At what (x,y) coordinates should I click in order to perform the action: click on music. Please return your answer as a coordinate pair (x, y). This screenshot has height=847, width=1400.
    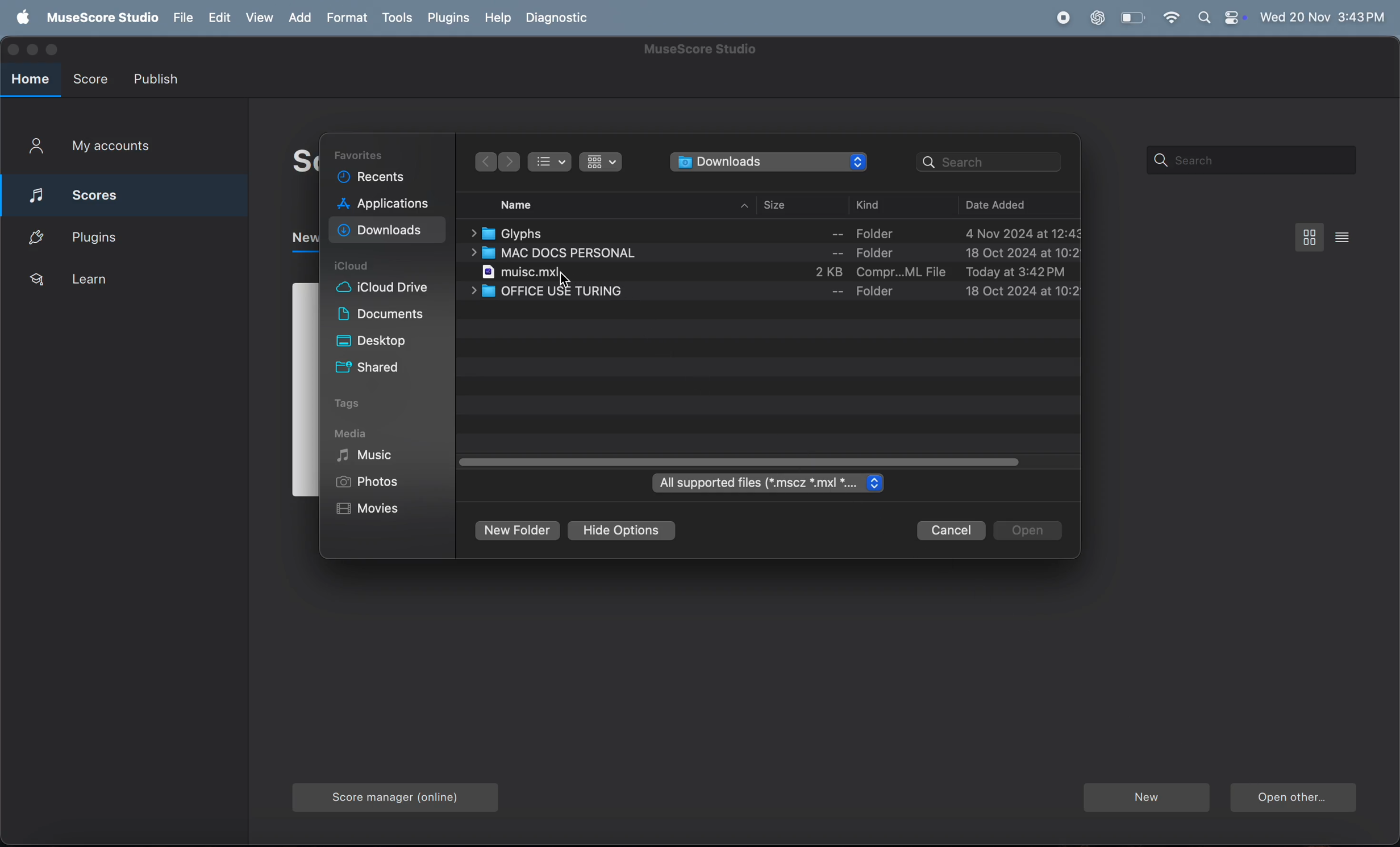
    Looking at the image, I should click on (778, 273).